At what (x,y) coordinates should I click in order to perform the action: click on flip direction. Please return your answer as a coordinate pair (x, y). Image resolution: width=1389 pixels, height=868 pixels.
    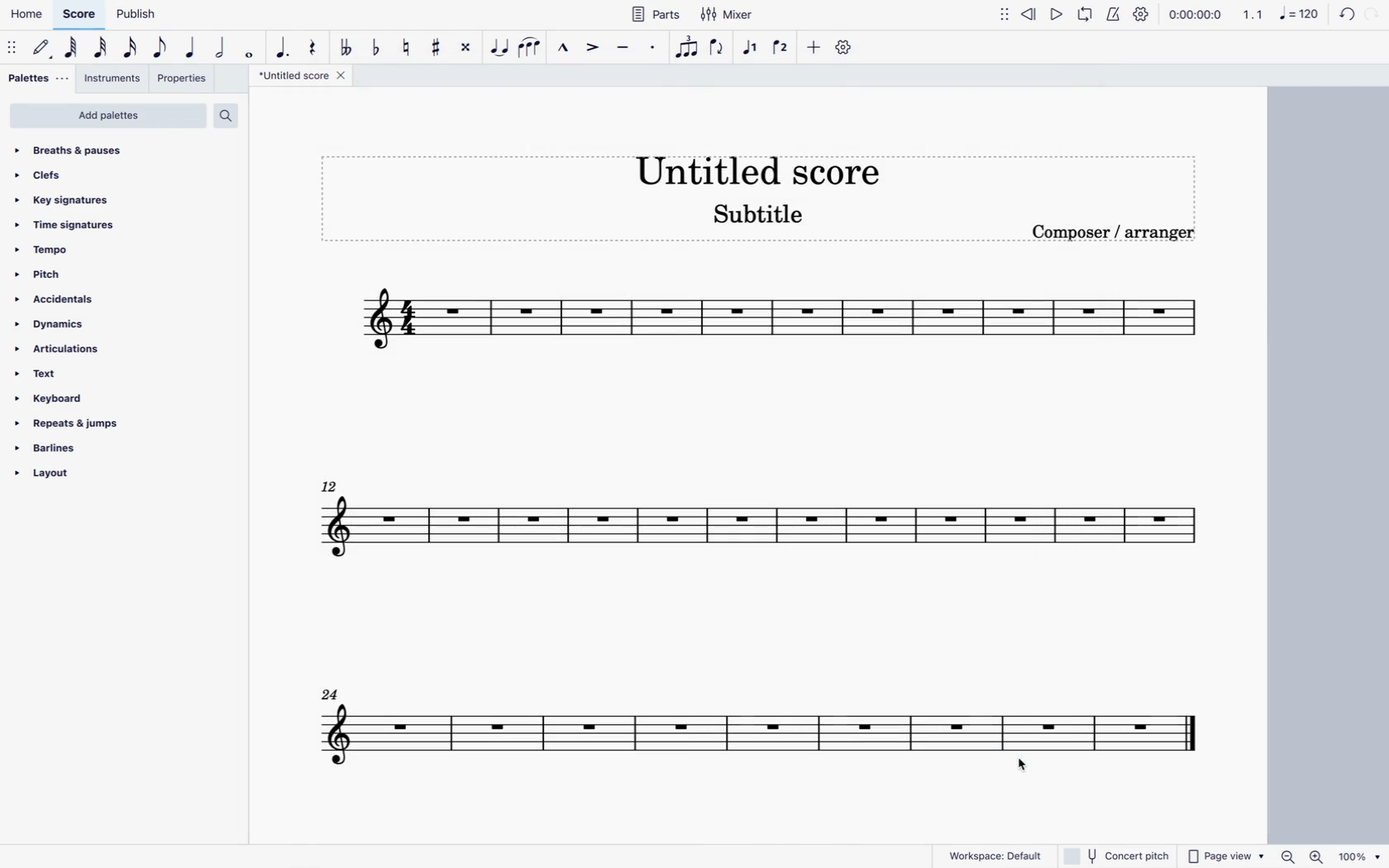
    Looking at the image, I should click on (718, 53).